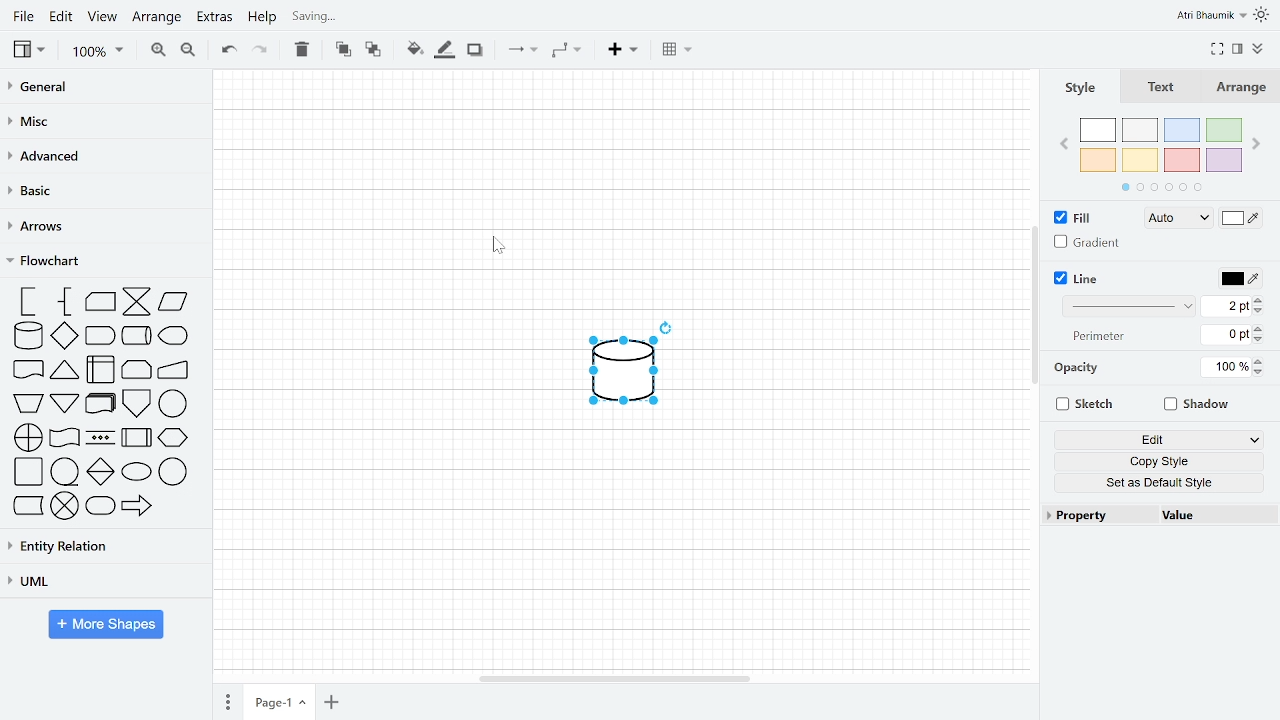  Describe the element at coordinates (214, 20) in the screenshot. I see `Extras` at that location.